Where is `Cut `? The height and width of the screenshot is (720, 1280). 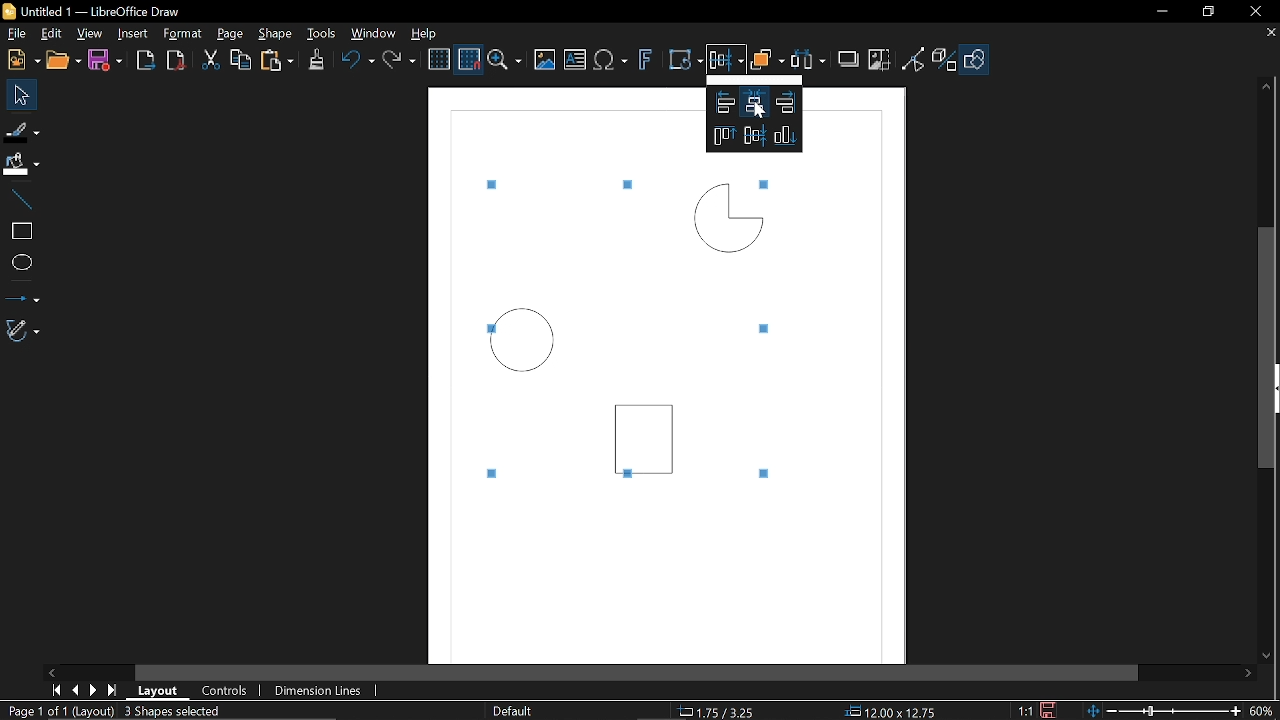
Cut  is located at coordinates (210, 60).